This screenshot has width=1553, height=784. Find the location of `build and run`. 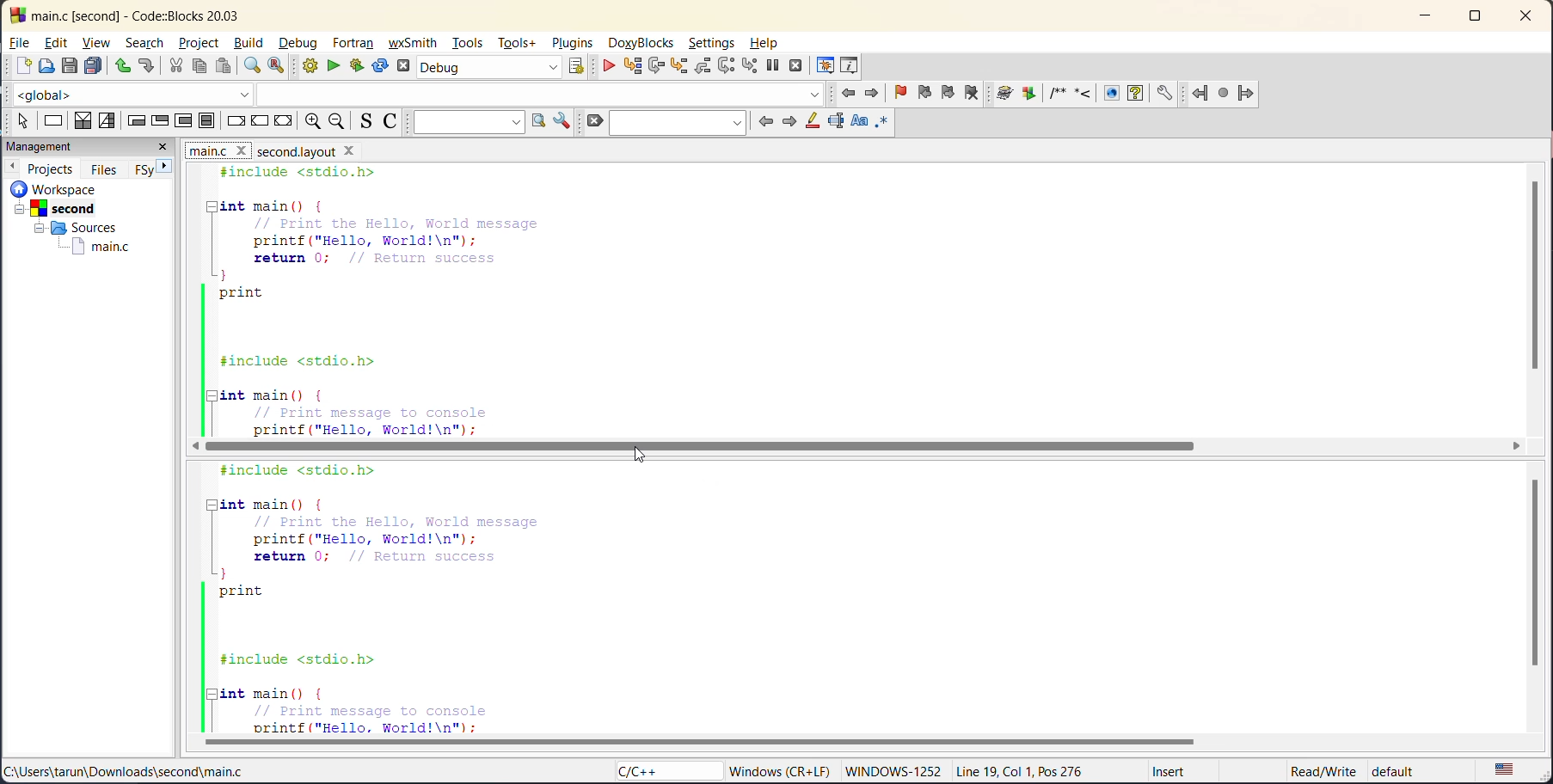

build and run is located at coordinates (359, 64).